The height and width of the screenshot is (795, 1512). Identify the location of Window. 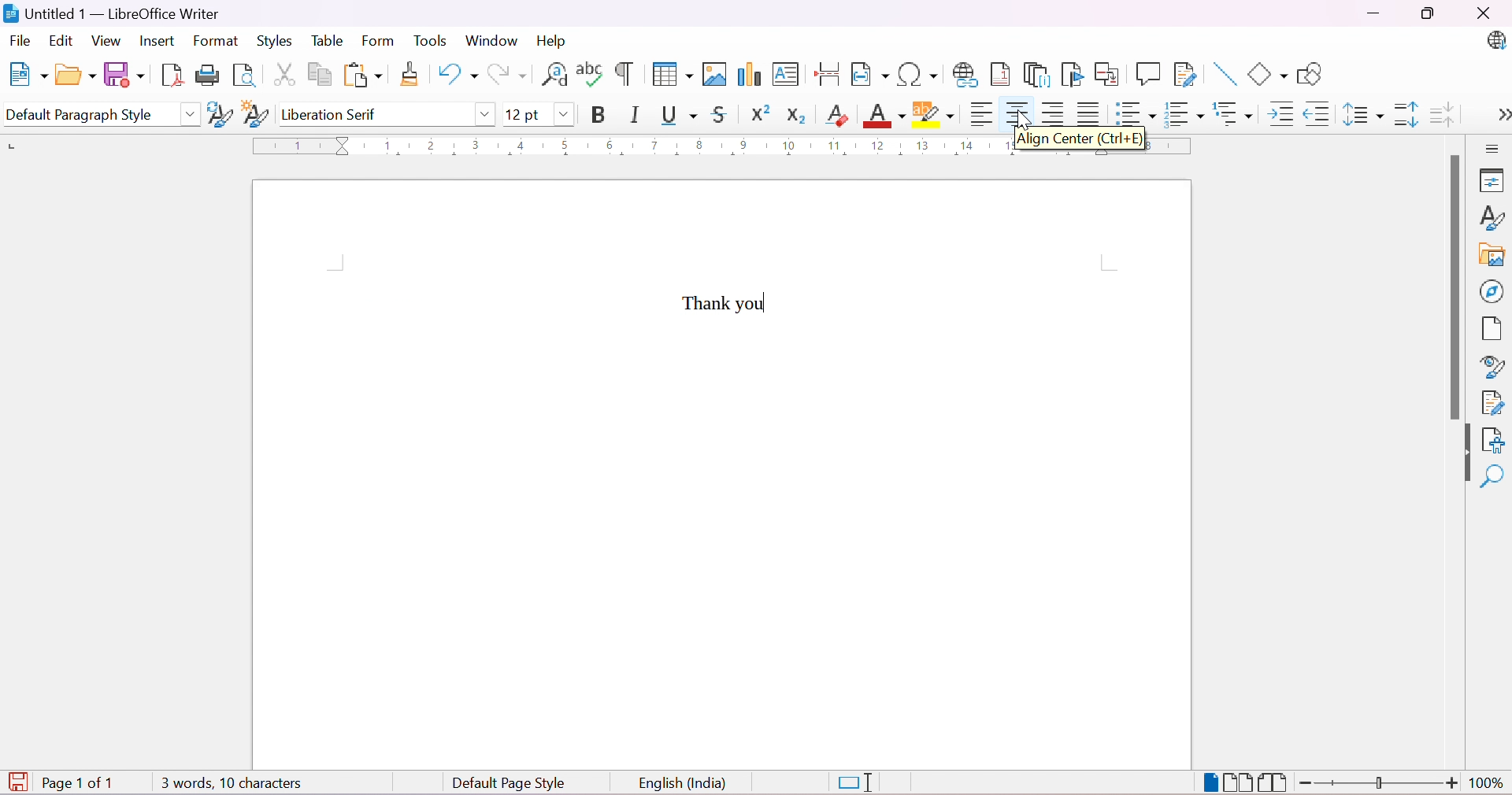
(491, 40).